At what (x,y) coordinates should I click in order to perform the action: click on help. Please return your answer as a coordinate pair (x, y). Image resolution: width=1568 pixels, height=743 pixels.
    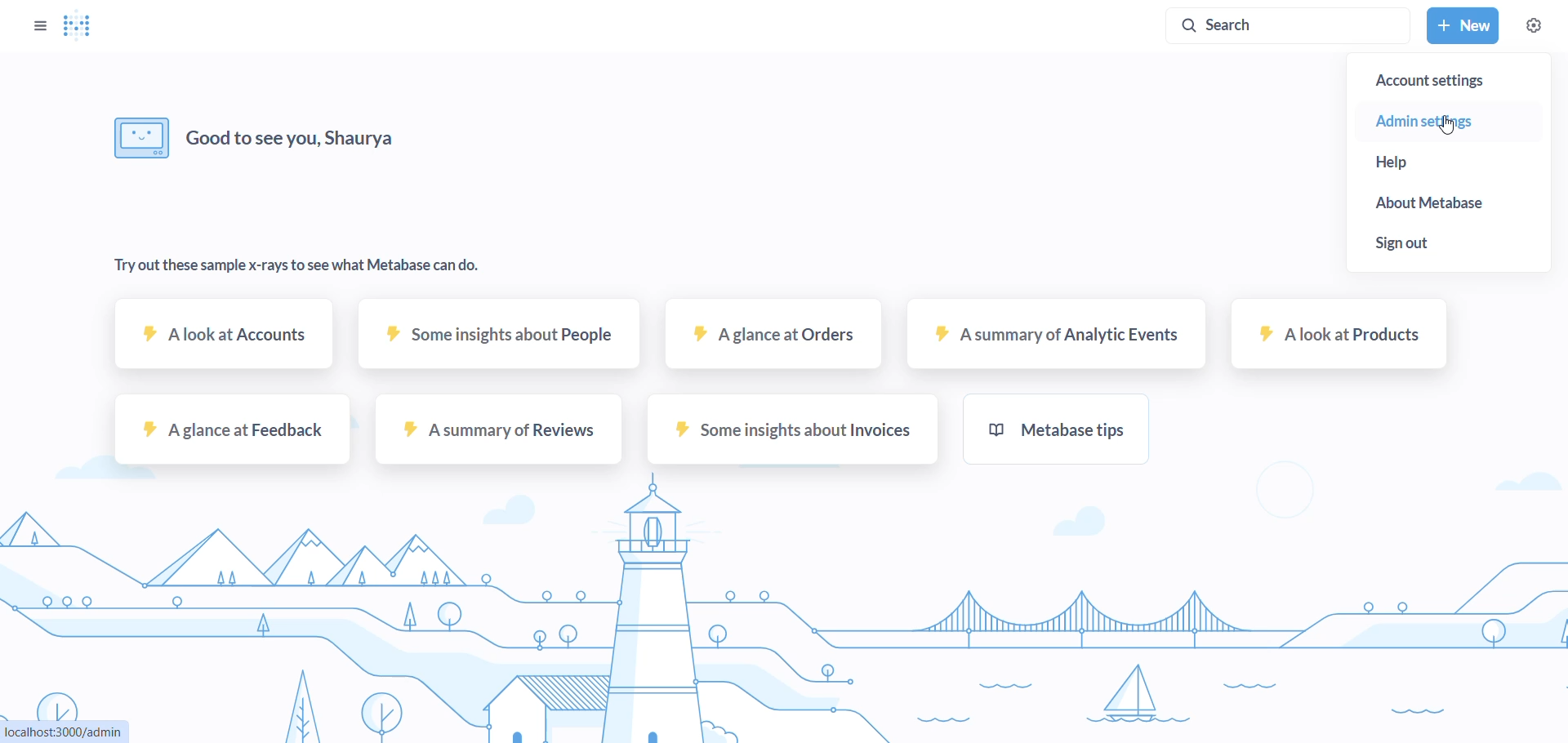
    Looking at the image, I should click on (1434, 161).